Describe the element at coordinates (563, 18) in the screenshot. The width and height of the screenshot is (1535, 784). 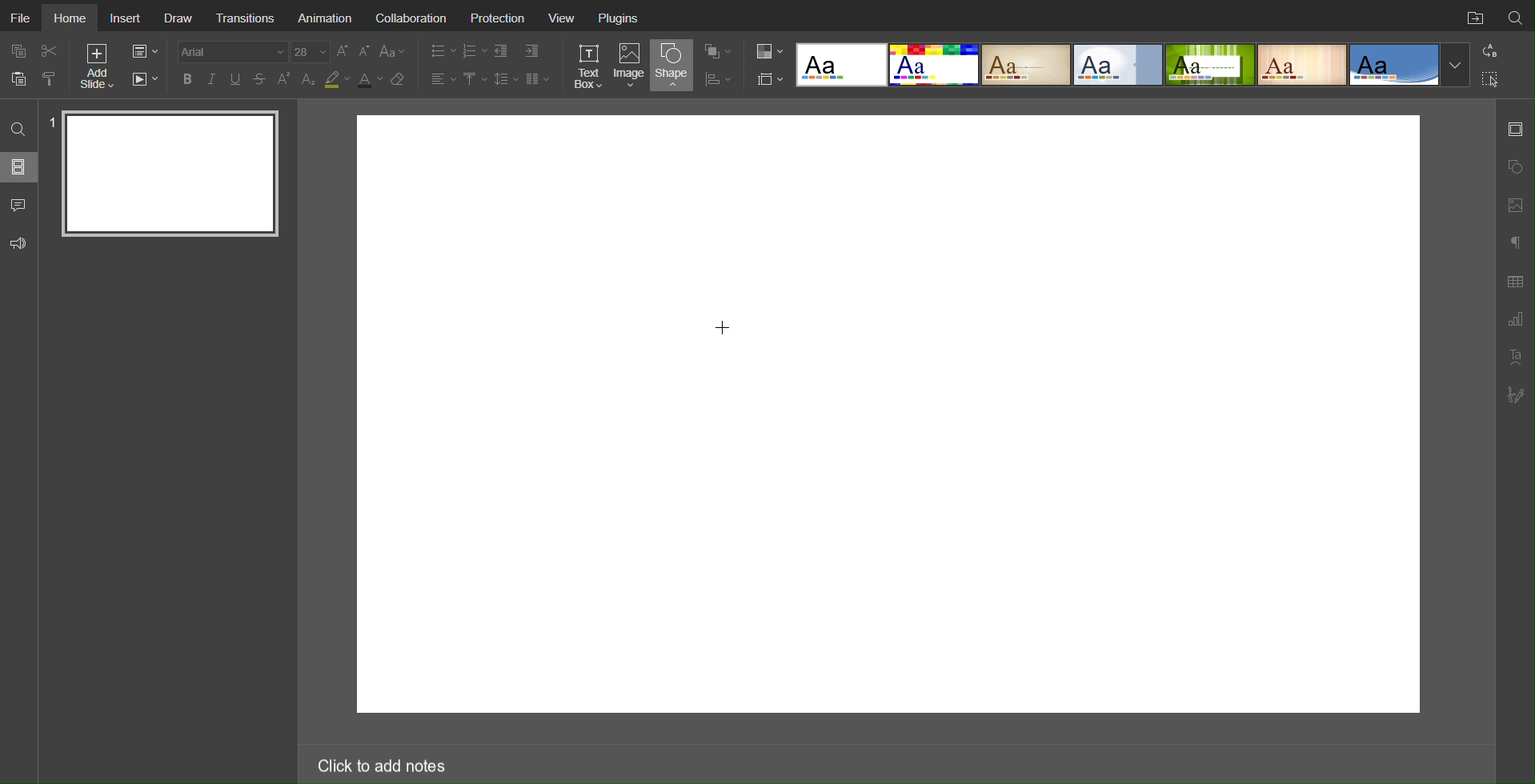
I see `View` at that location.